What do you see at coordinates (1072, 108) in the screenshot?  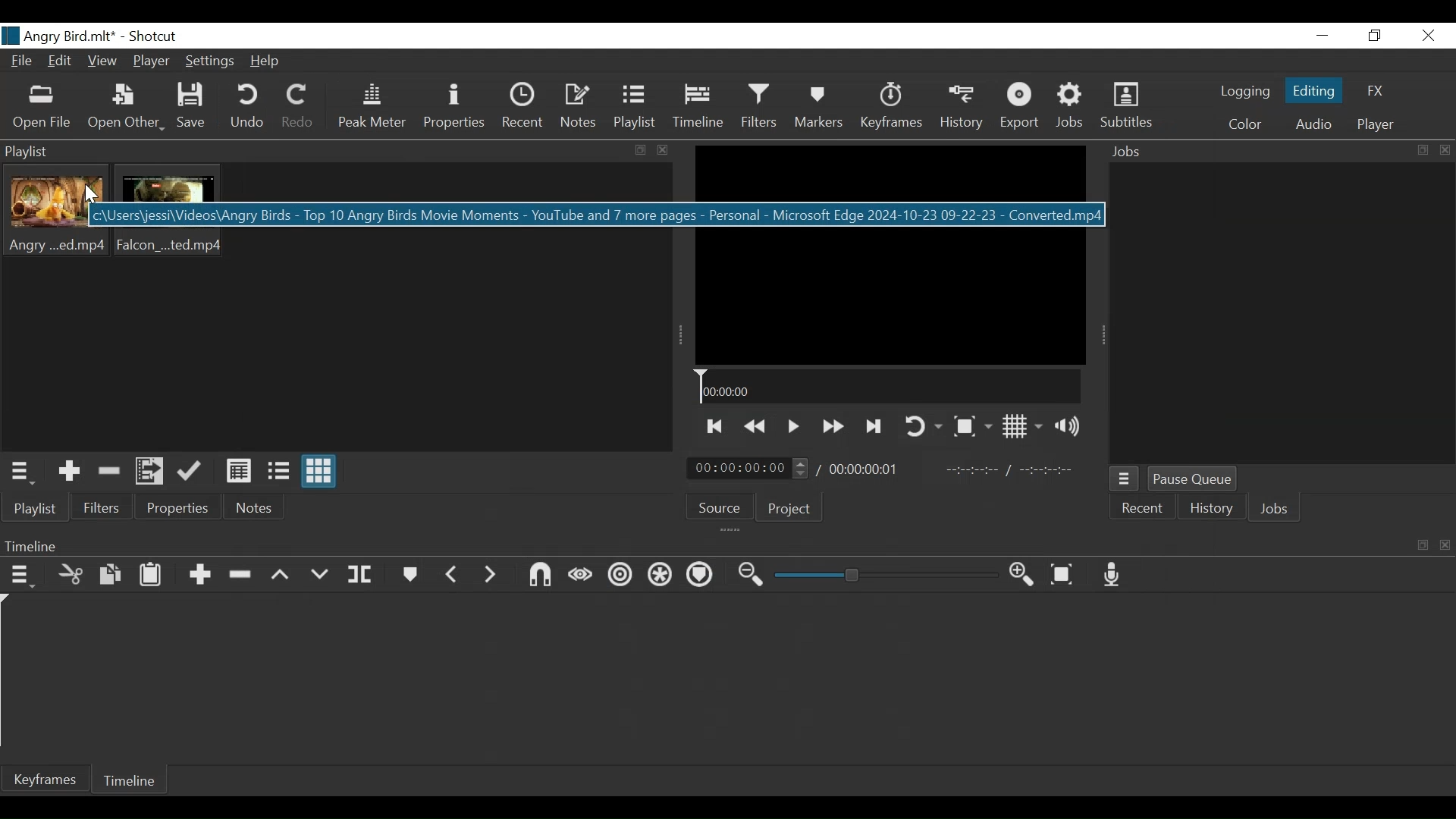 I see `Jobs` at bounding box center [1072, 108].